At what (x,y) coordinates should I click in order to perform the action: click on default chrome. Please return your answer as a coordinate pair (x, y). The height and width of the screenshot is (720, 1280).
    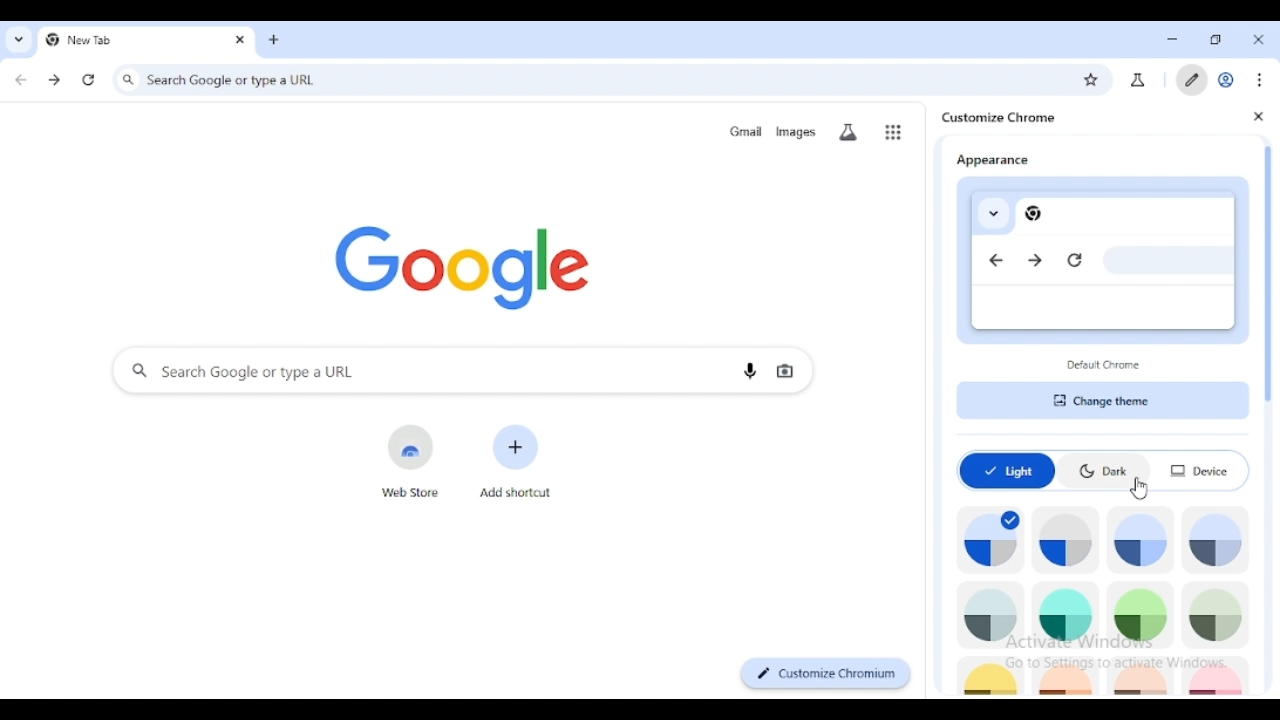
    Looking at the image, I should click on (1105, 365).